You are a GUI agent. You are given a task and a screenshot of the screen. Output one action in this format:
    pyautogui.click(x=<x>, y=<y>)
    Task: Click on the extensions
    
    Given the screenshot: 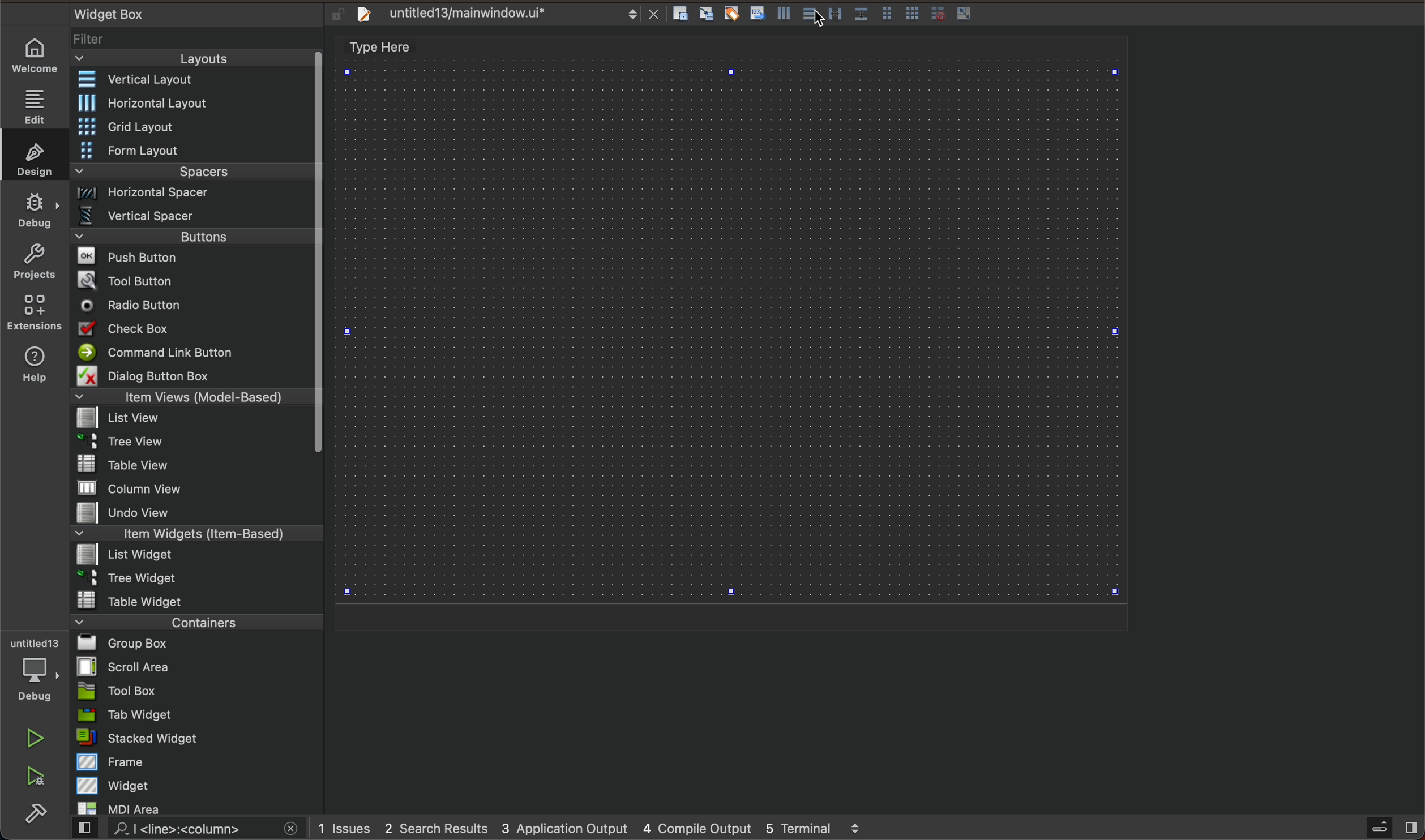 What is the action you would take?
    pyautogui.click(x=36, y=312)
    